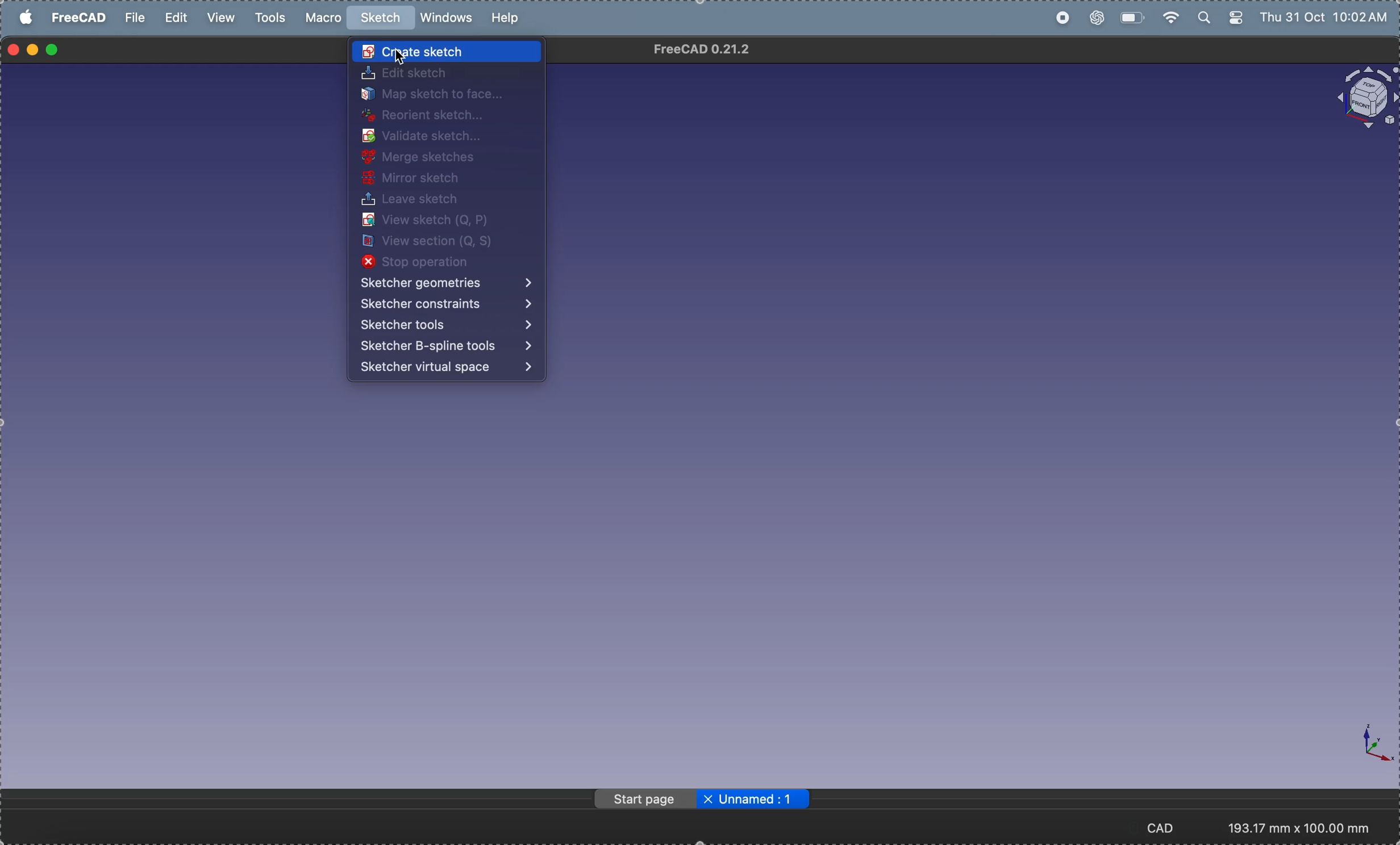  I want to click on record, so click(1062, 18).